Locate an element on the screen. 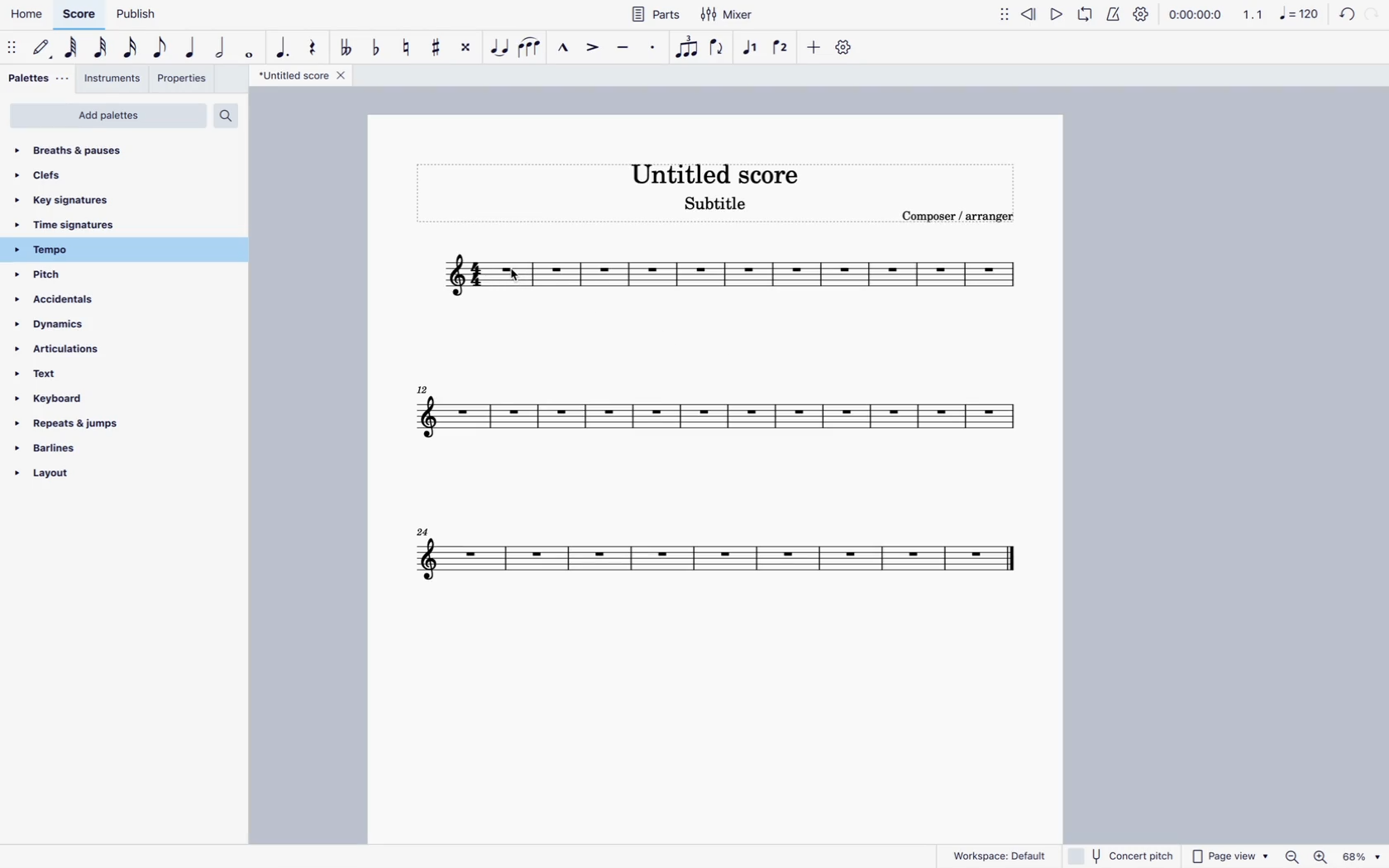 This screenshot has width=1389, height=868.  is located at coordinates (1324, 856).